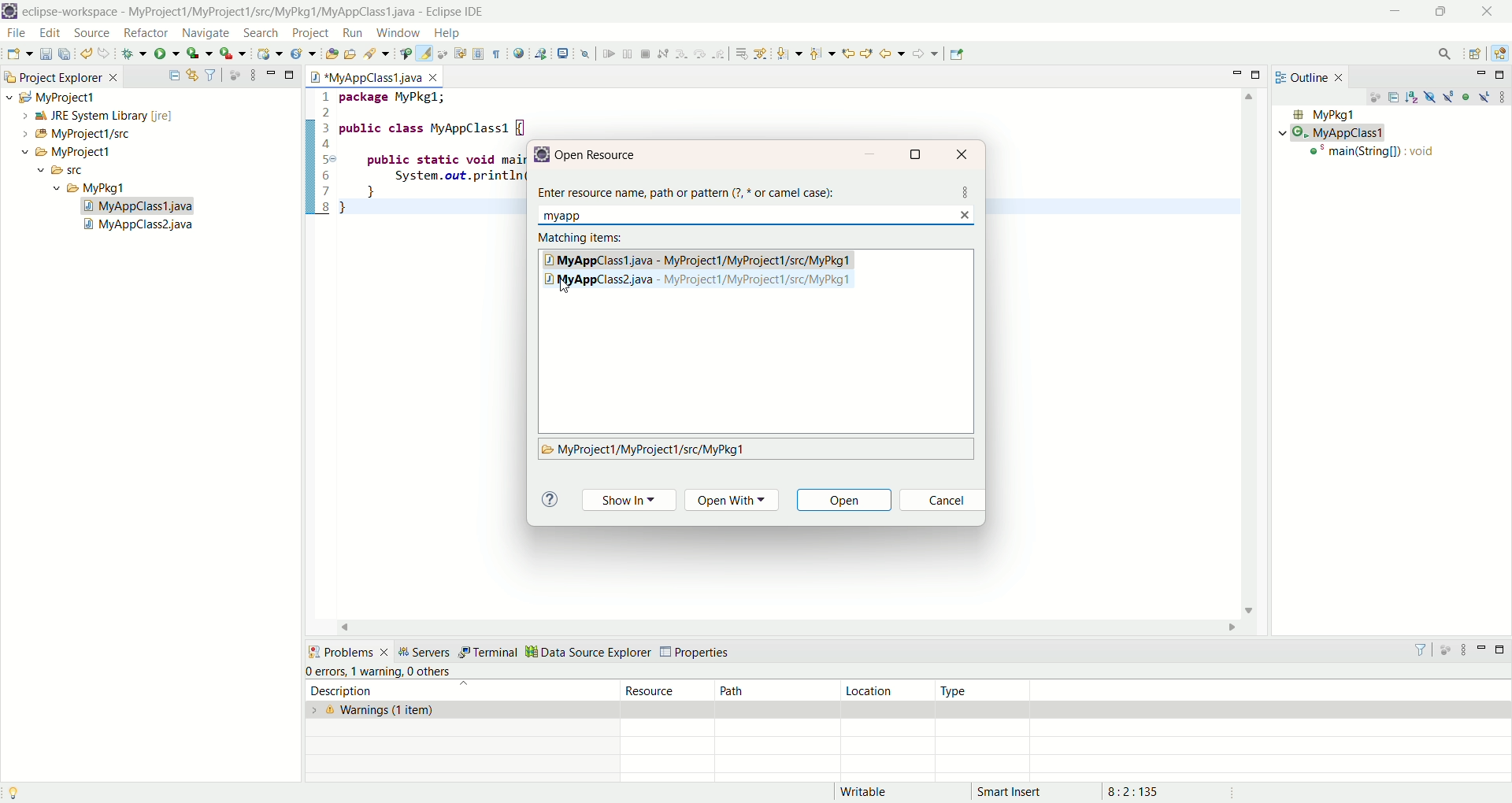 This screenshot has width=1512, height=803. Describe the element at coordinates (404, 54) in the screenshot. I see `toggle breadcrumb` at that location.